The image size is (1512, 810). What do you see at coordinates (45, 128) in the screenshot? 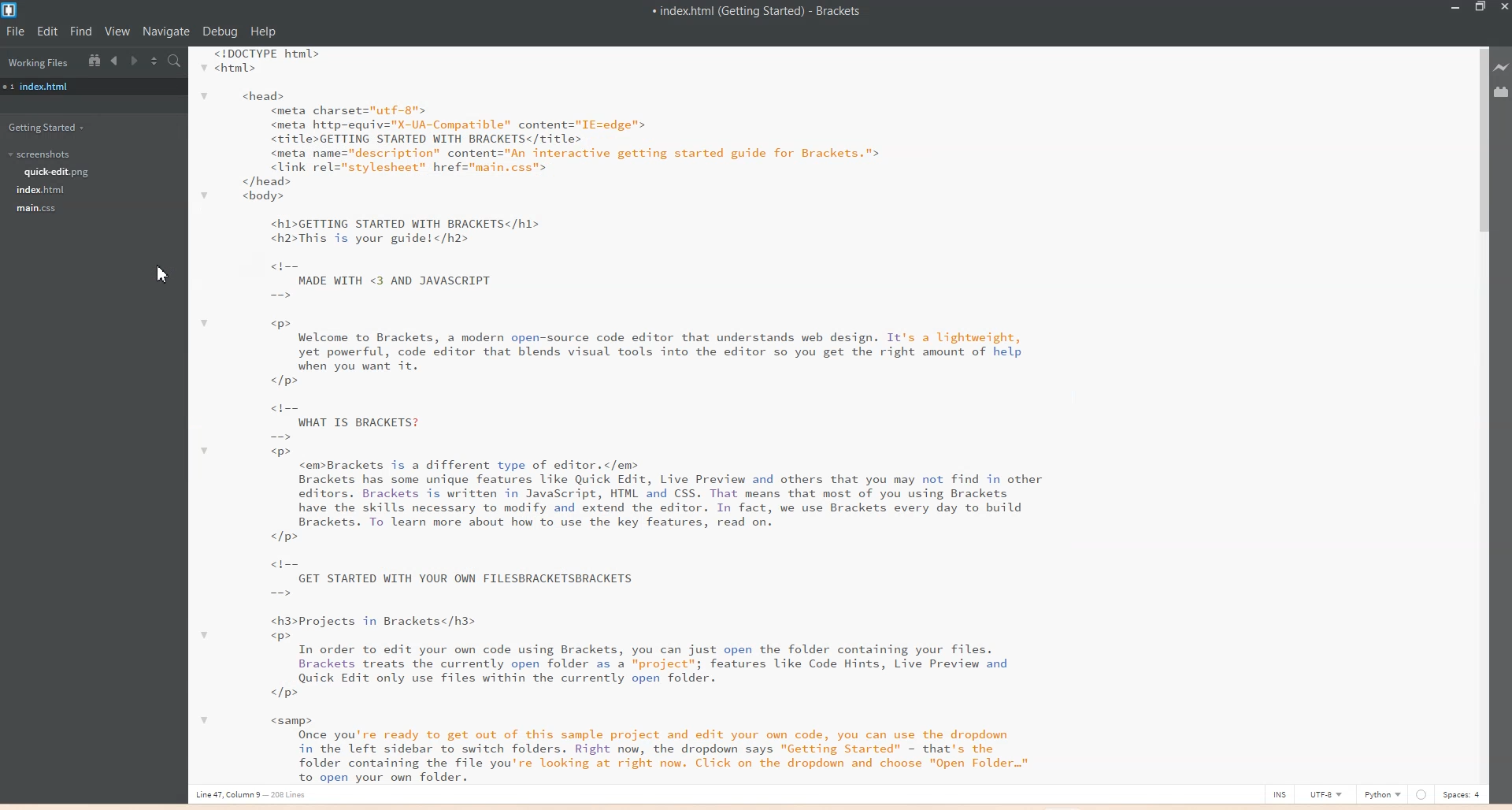
I see `Getting Started` at bounding box center [45, 128].